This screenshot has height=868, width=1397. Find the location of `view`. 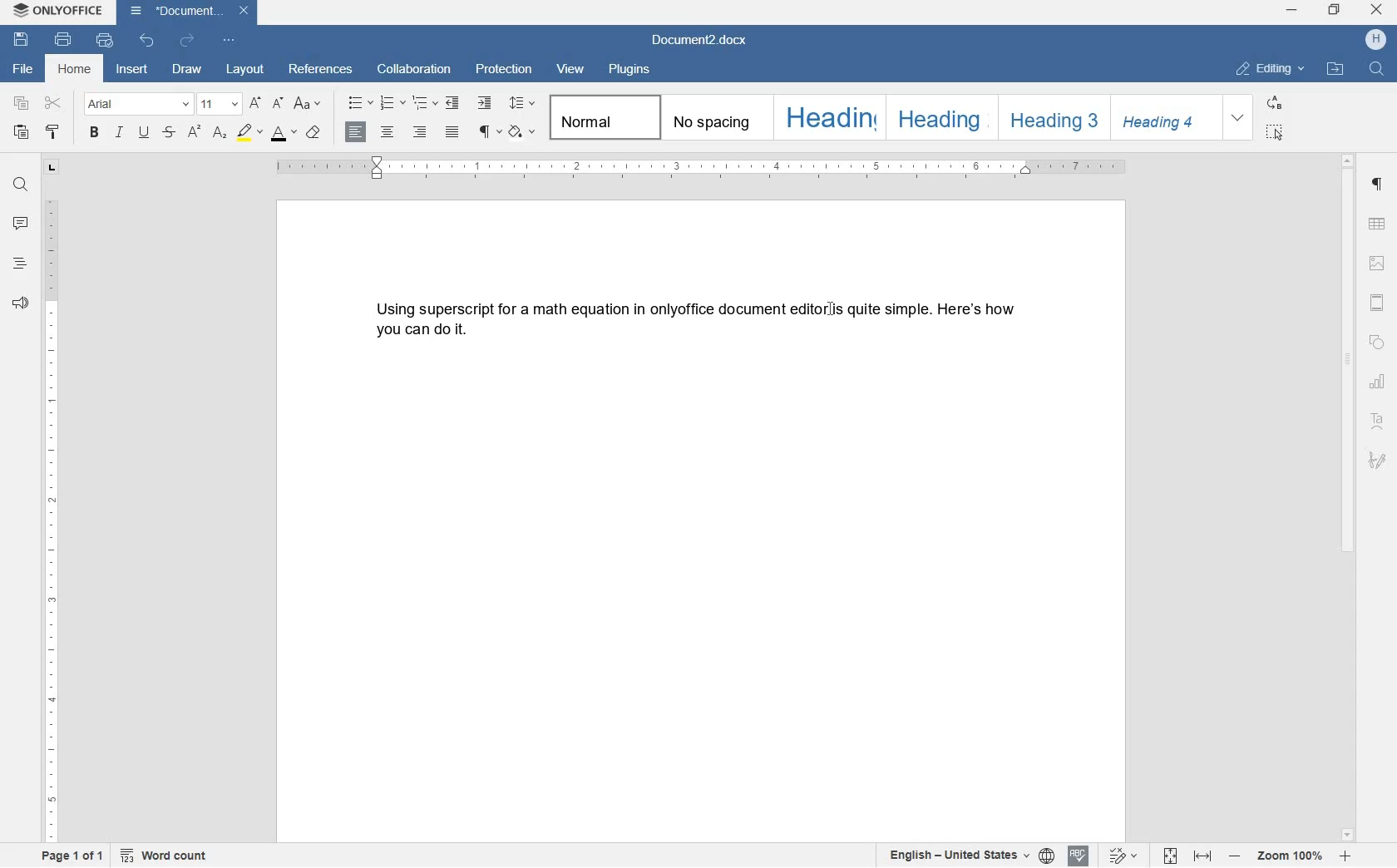

view is located at coordinates (571, 67).